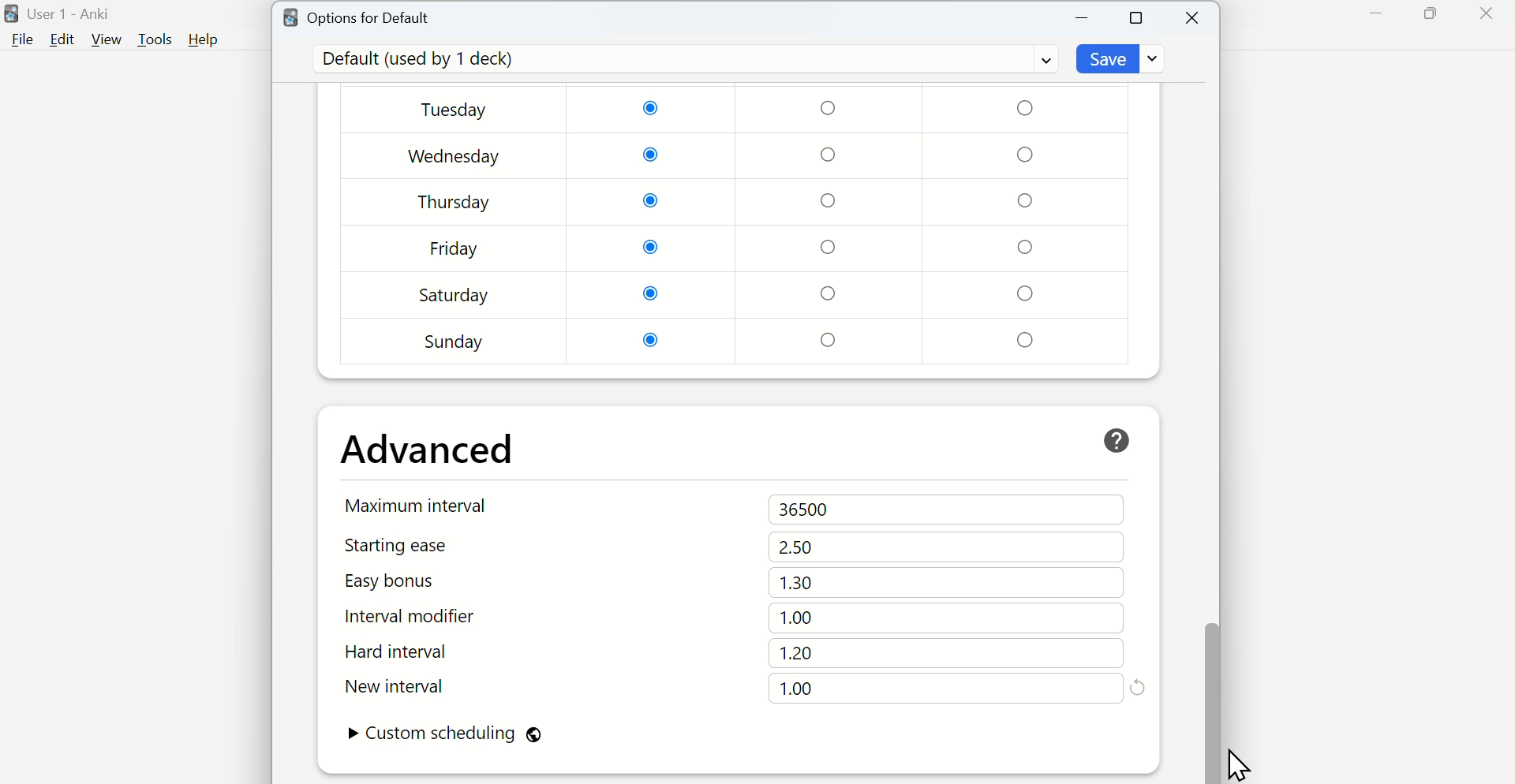 Image resolution: width=1515 pixels, height=784 pixels. Describe the element at coordinates (1210, 407) in the screenshot. I see `Vertical scroll bar` at that location.